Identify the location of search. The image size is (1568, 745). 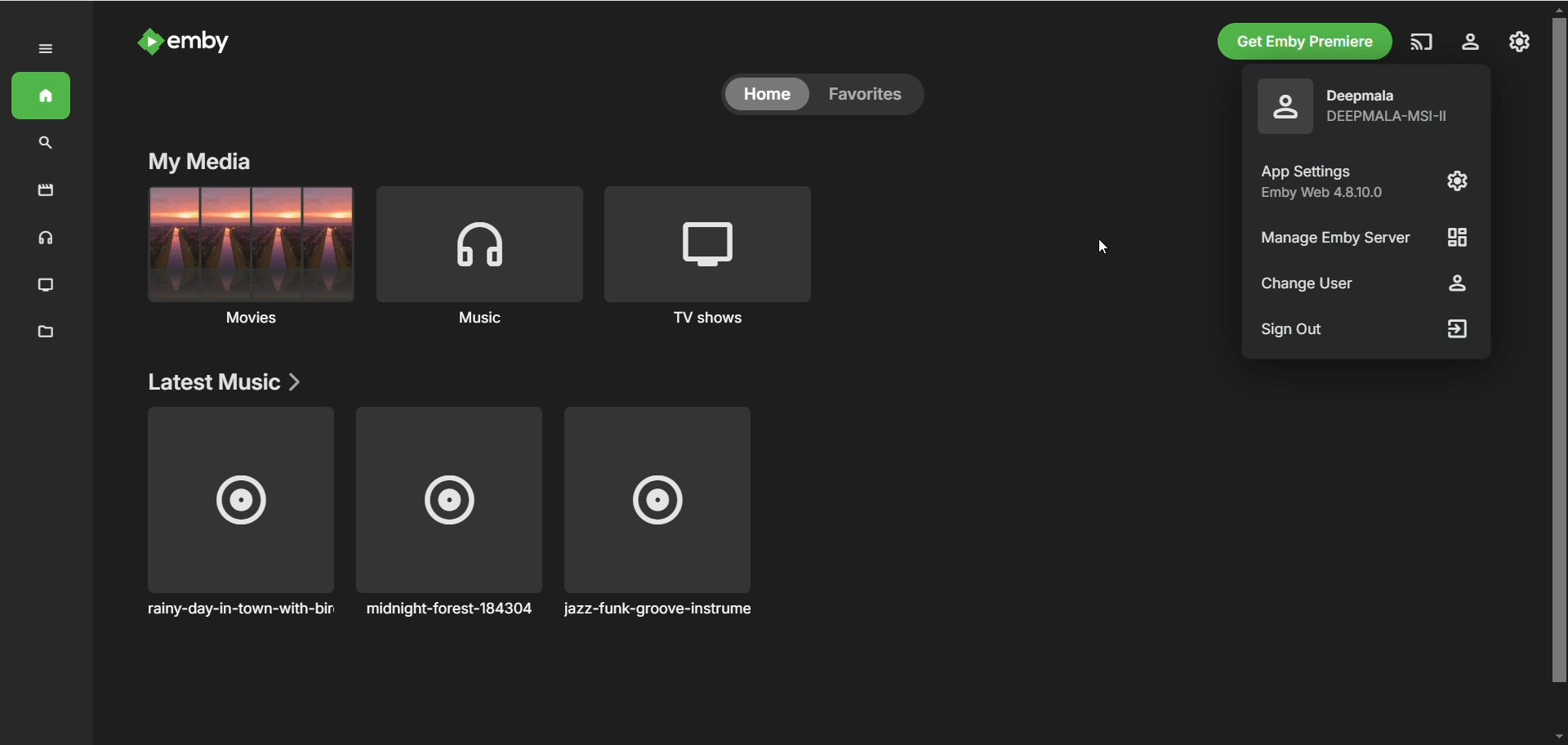
(46, 144).